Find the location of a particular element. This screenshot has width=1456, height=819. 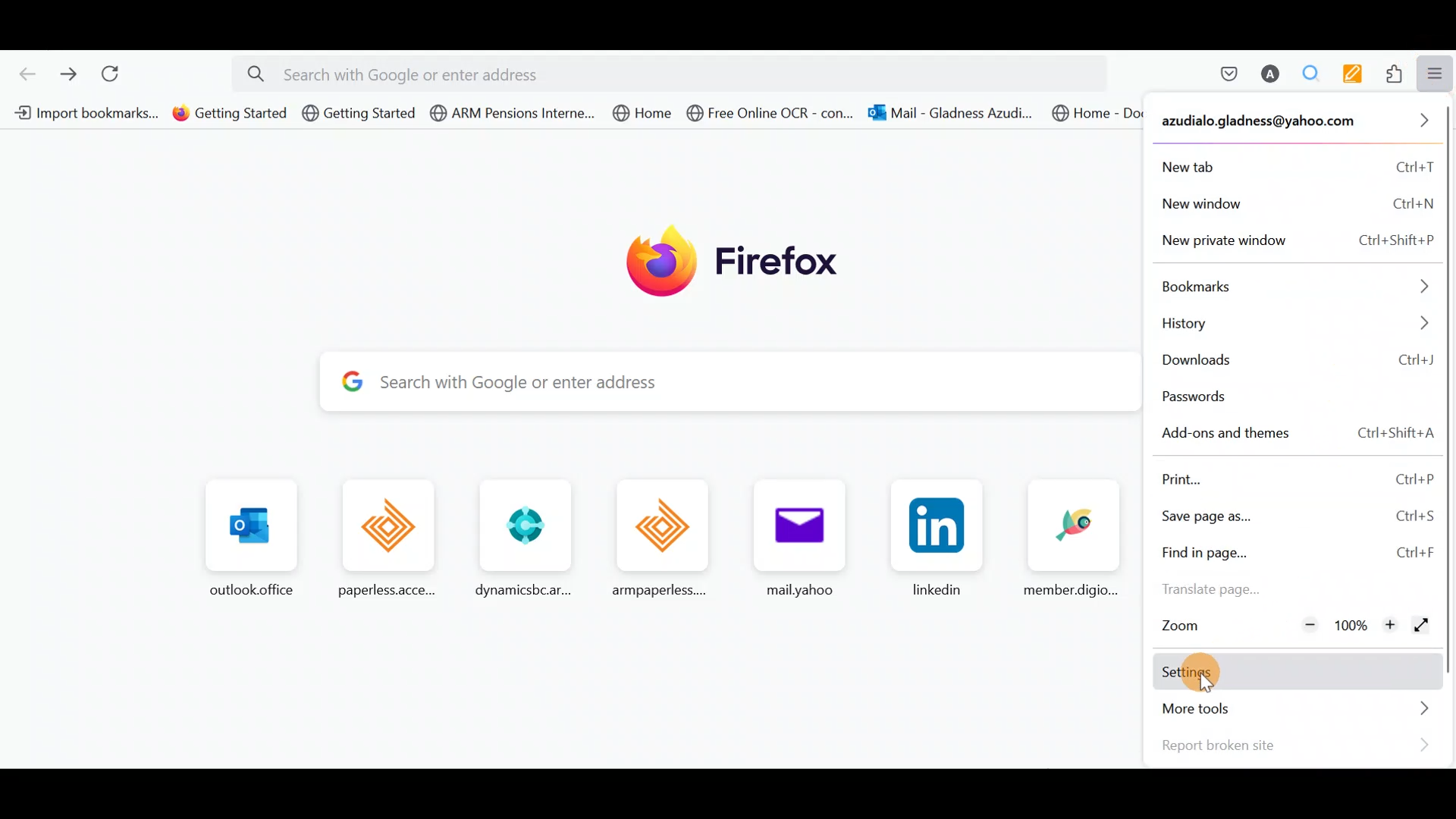

- con... G3 Mail - Gladness Azudi. is located at coordinates (946, 114).